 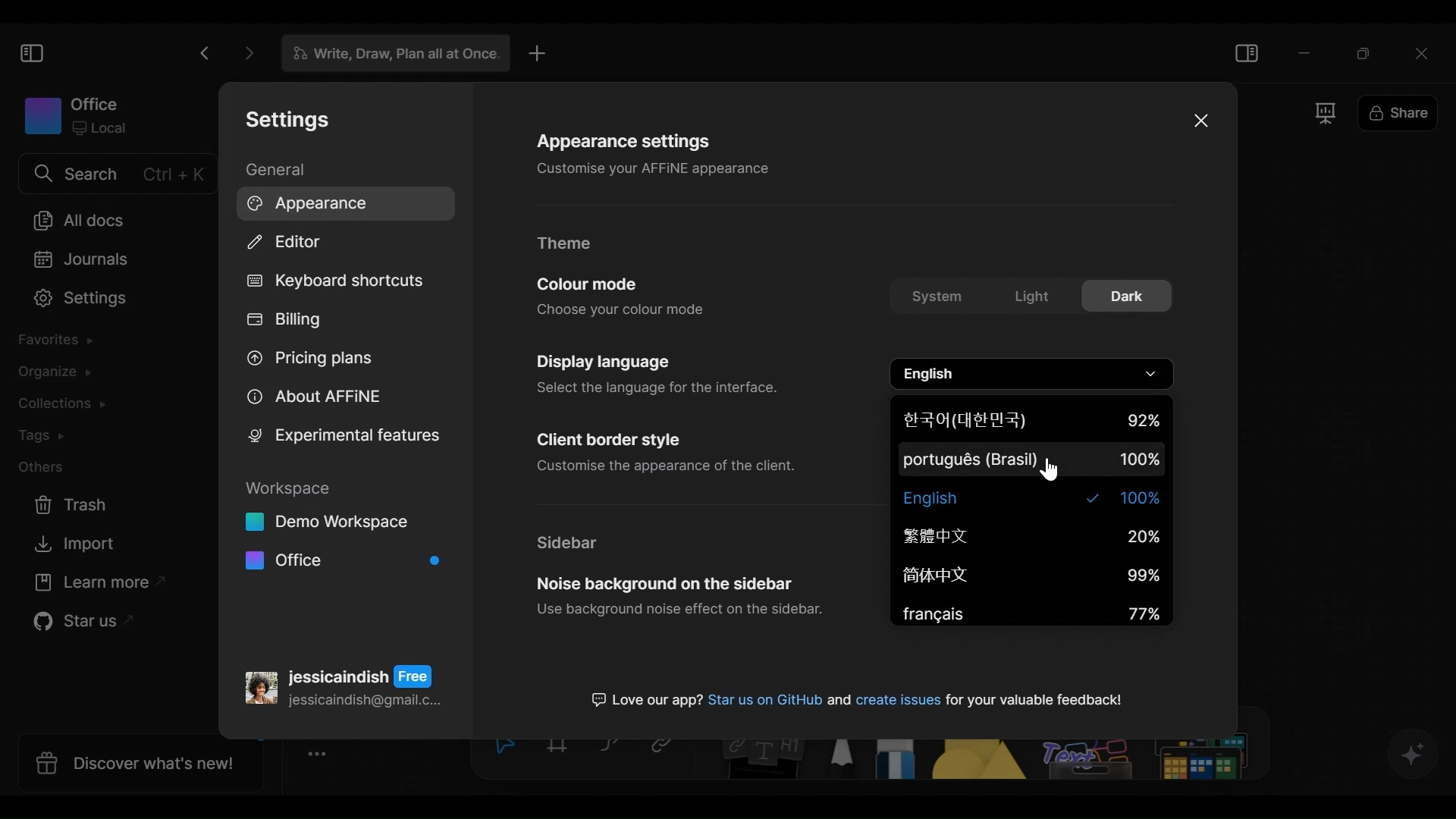 What do you see at coordinates (74, 300) in the screenshot?
I see `Settings` at bounding box center [74, 300].